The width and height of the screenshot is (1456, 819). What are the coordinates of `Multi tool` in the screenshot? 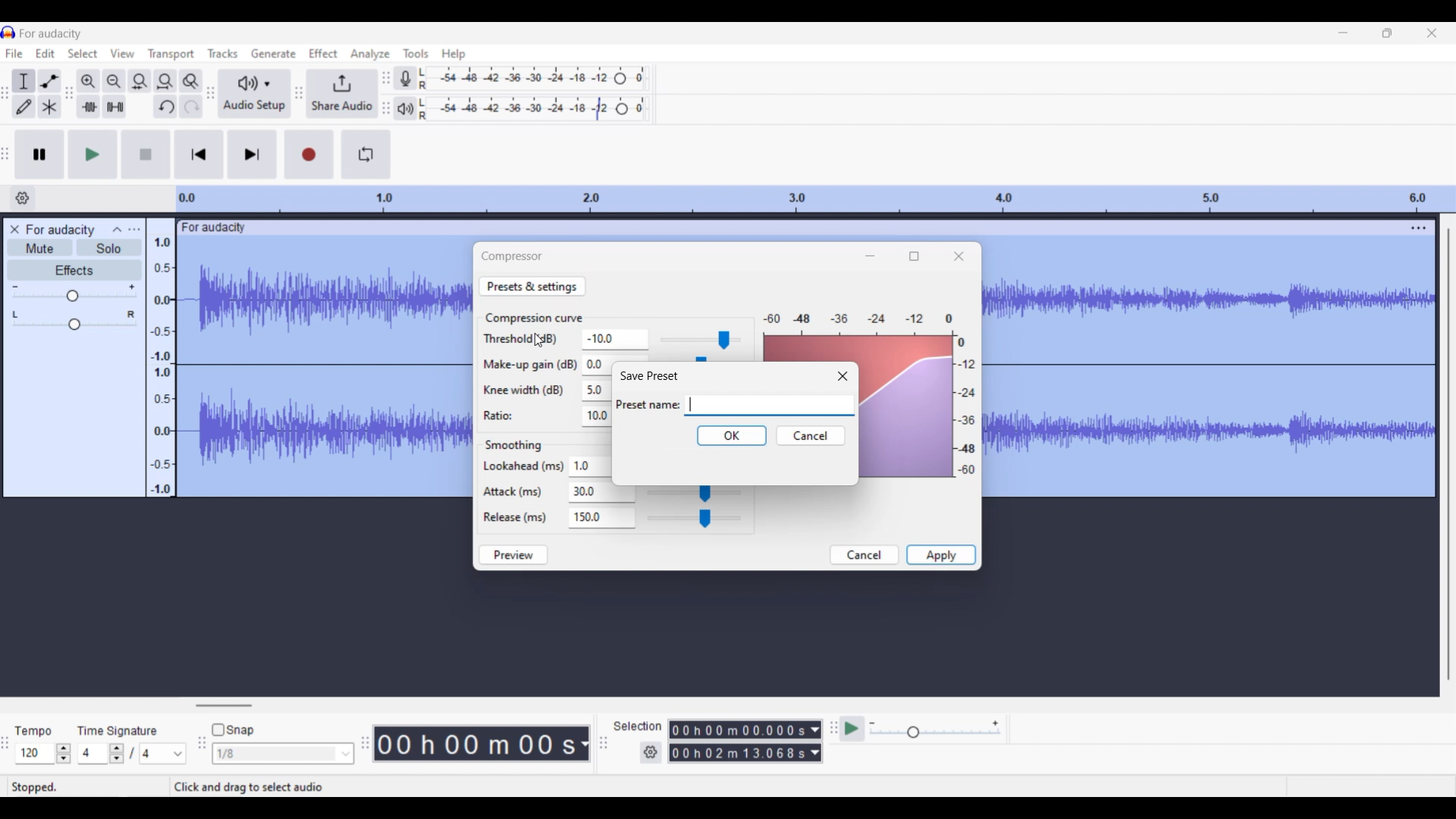 It's located at (49, 106).